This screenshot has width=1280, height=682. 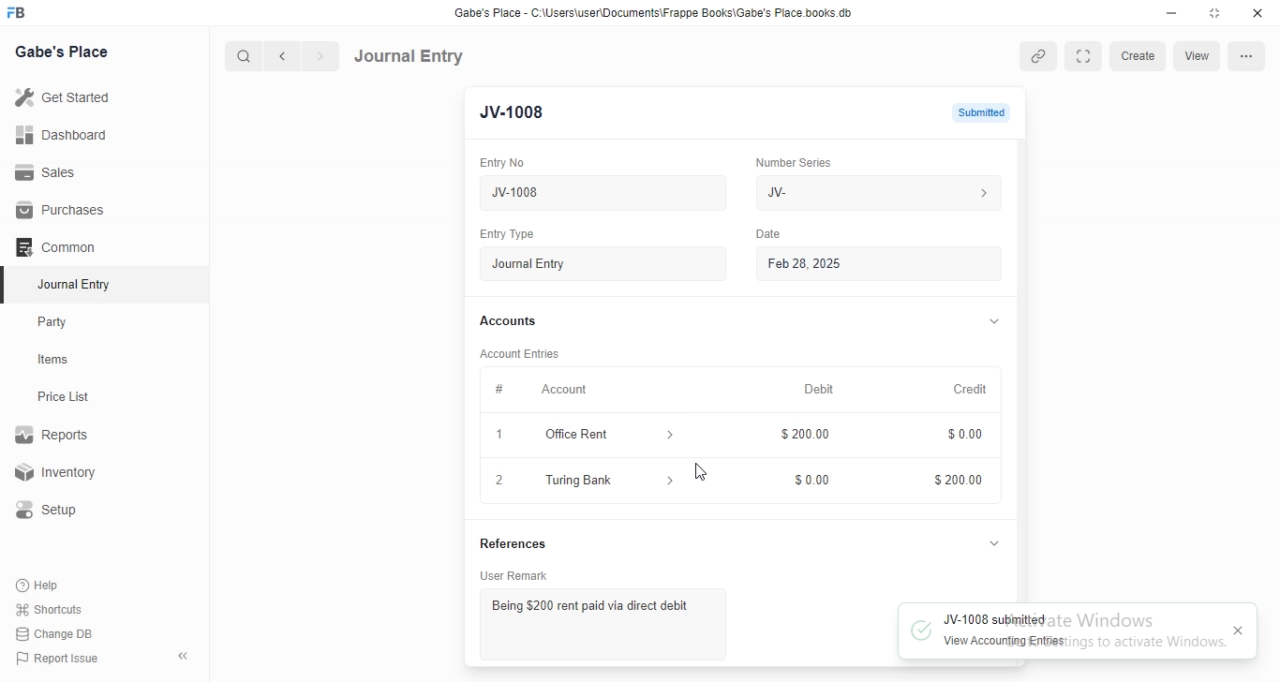 I want to click on Gabe's Place, so click(x=64, y=51).